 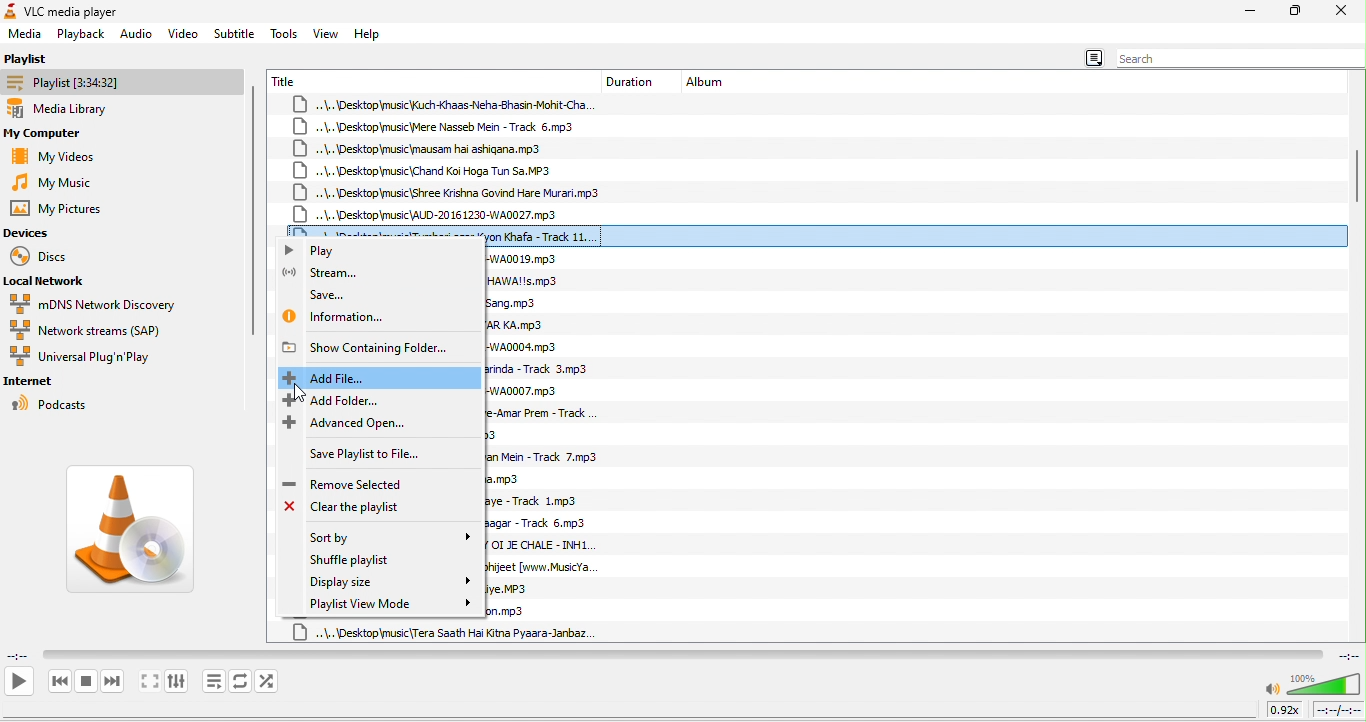 I want to click on toggle the video in  fullscreen, so click(x=149, y=683).